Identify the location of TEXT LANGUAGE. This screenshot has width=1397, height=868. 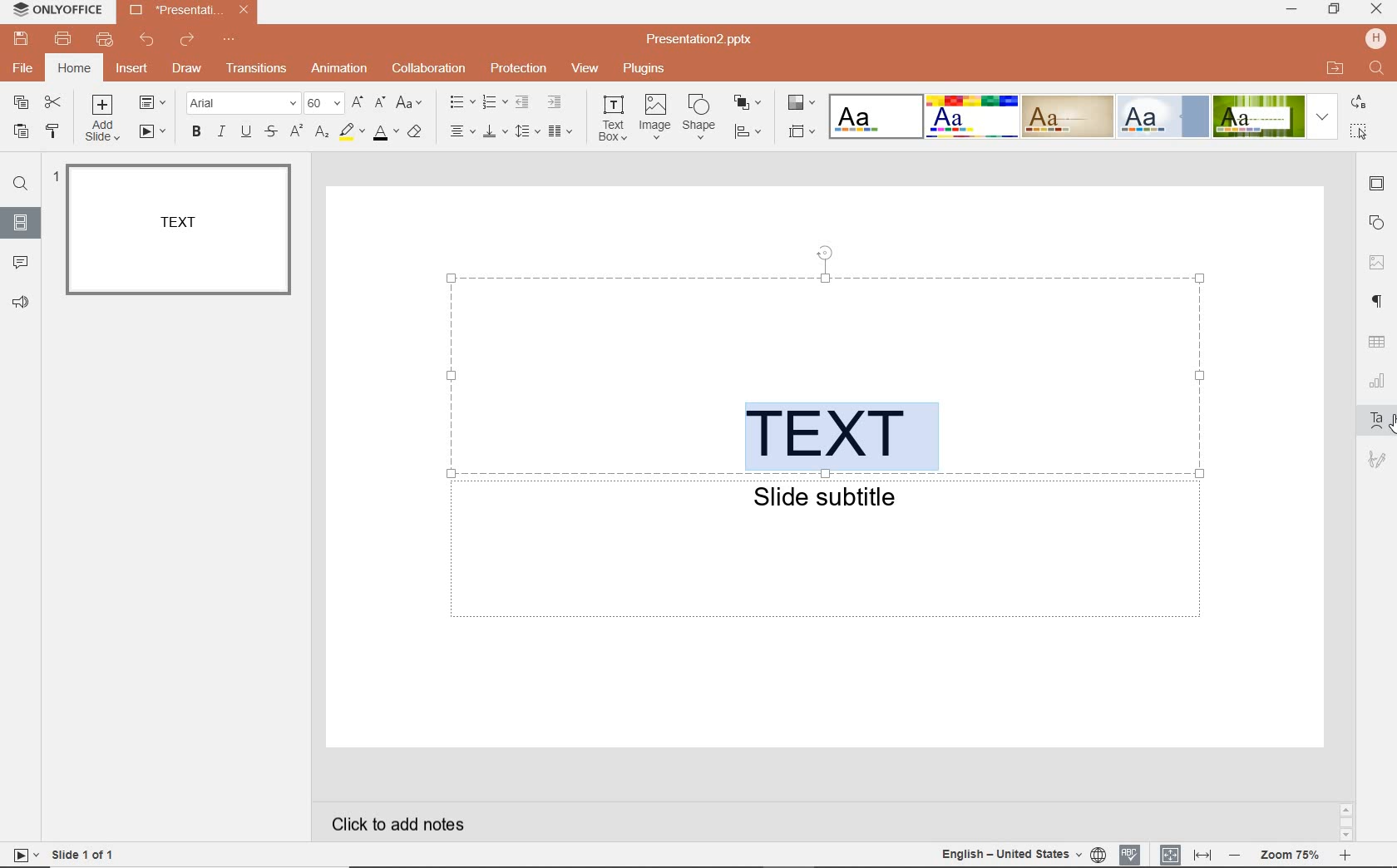
(1022, 853).